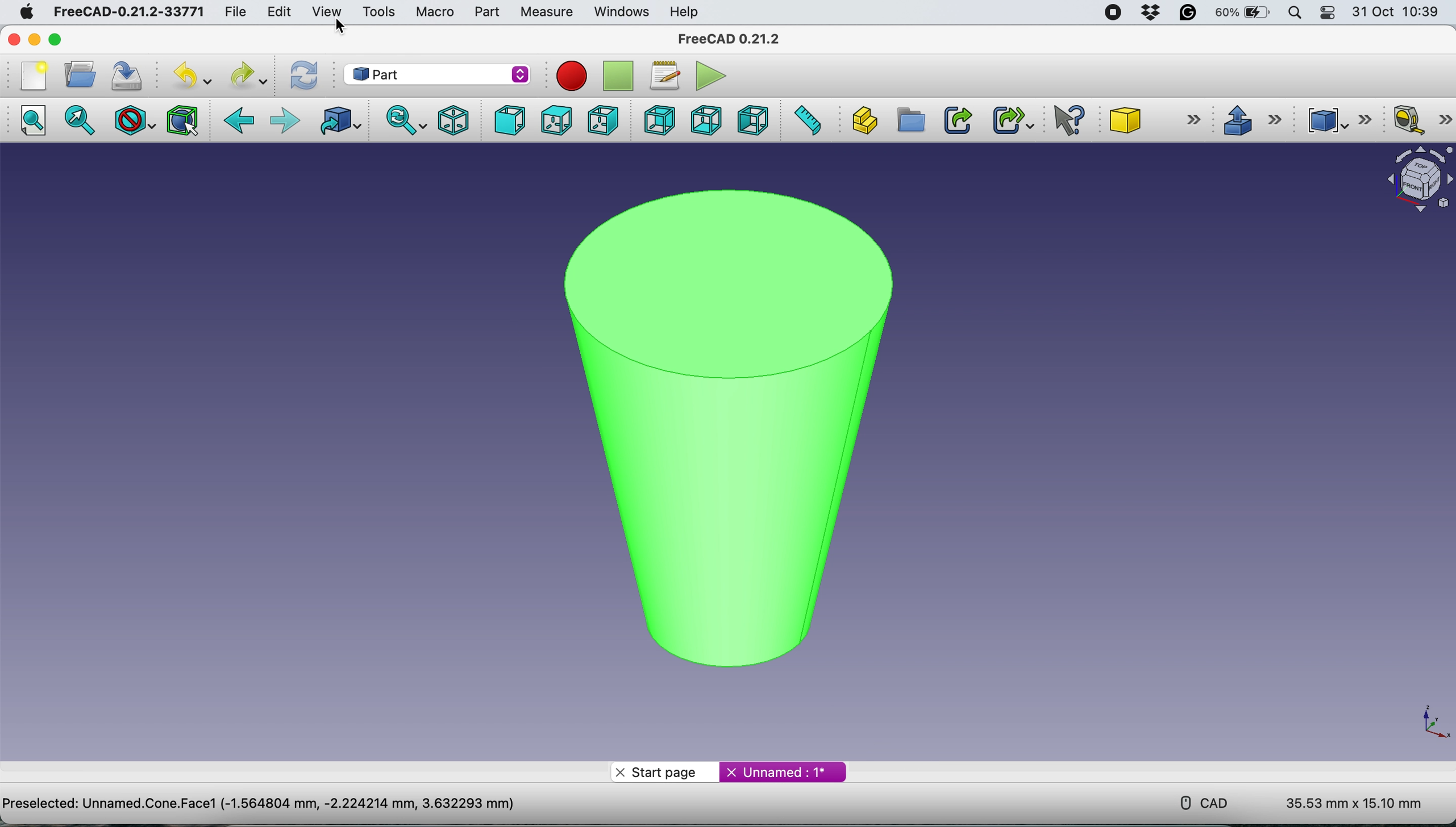 Image resolution: width=1456 pixels, height=827 pixels. Describe the element at coordinates (783, 770) in the screenshot. I see `unnamed : 1*` at that location.